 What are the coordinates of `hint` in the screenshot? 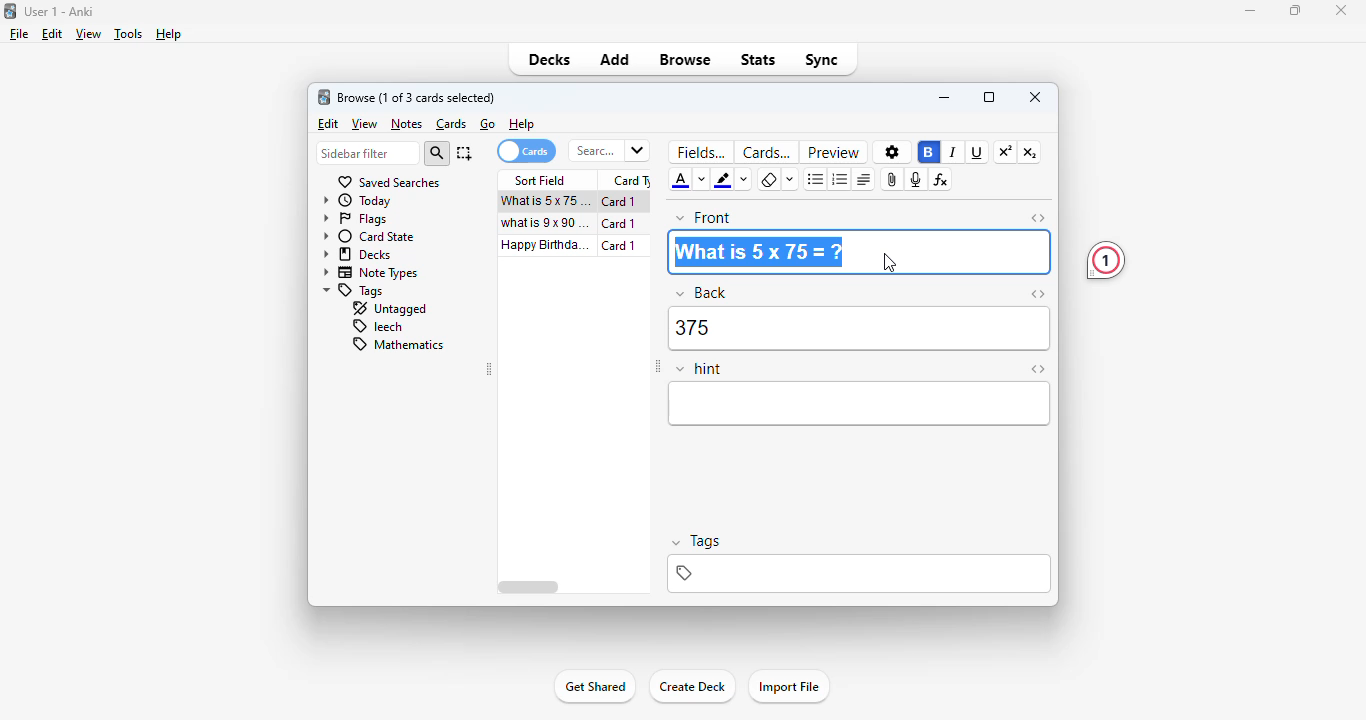 It's located at (699, 370).